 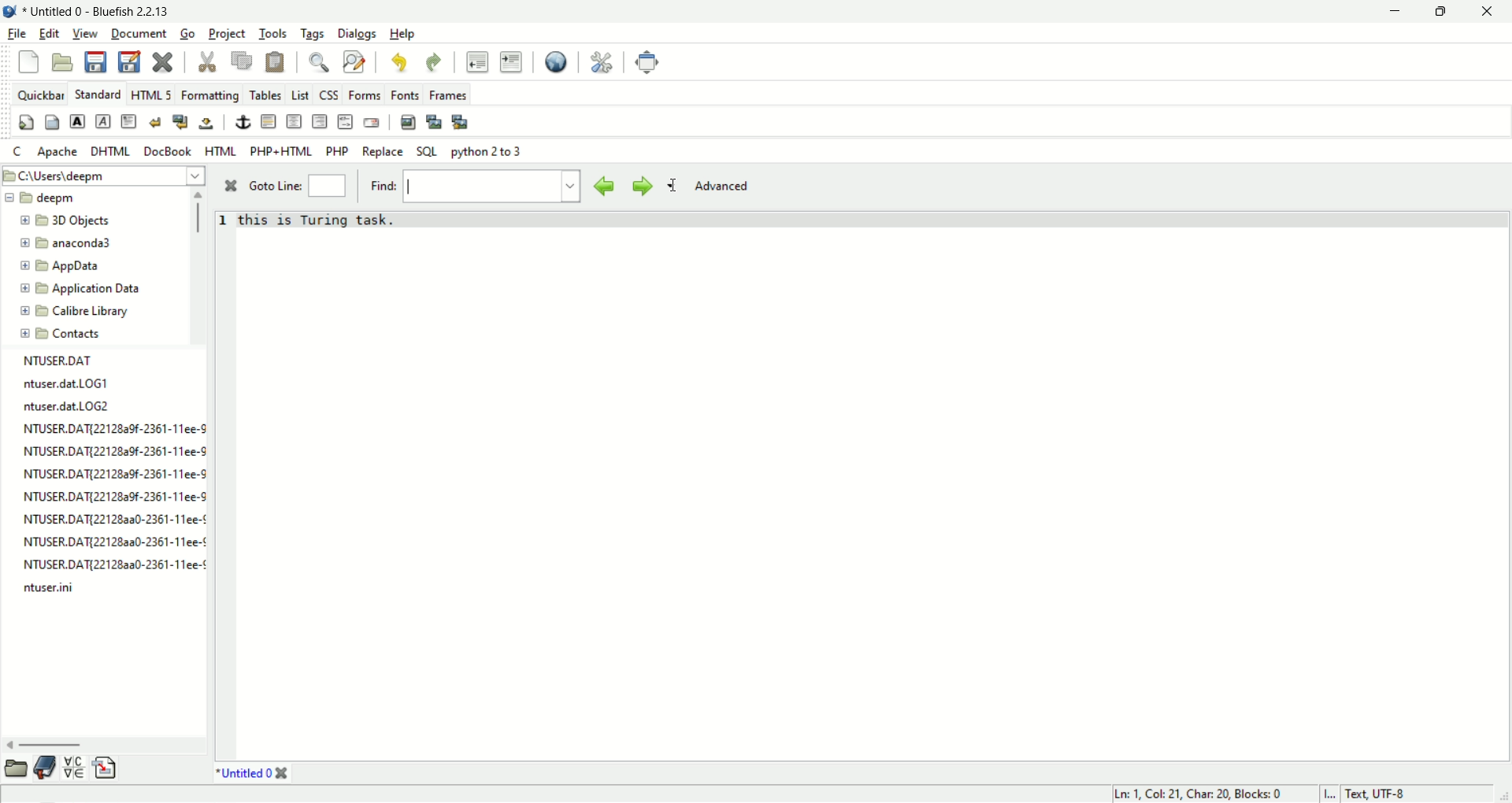 What do you see at coordinates (44, 767) in the screenshot?
I see `bookmark` at bounding box center [44, 767].